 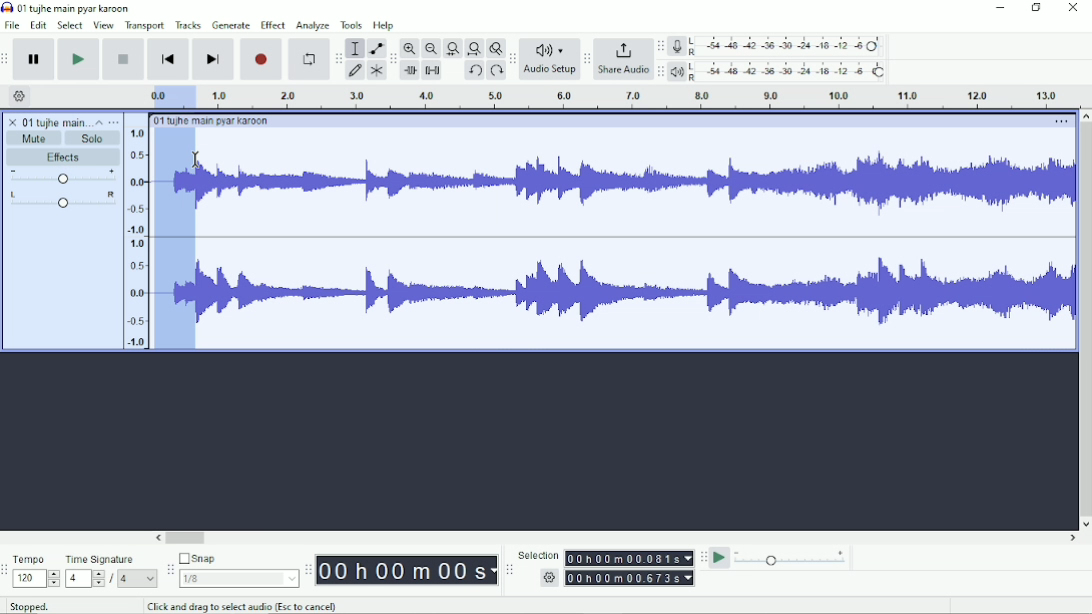 What do you see at coordinates (63, 158) in the screenshot?
I see `Effects` at bounding box center [63, 158].